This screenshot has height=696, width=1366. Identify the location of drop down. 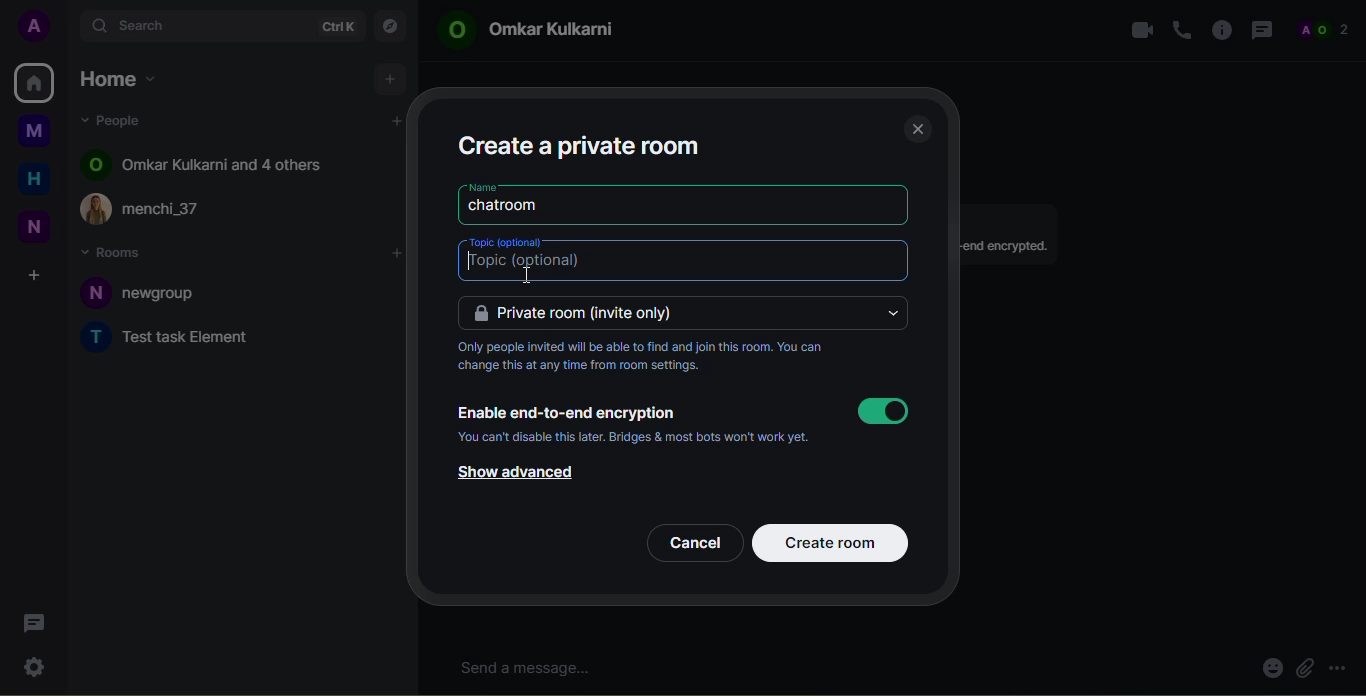
(891, 313).